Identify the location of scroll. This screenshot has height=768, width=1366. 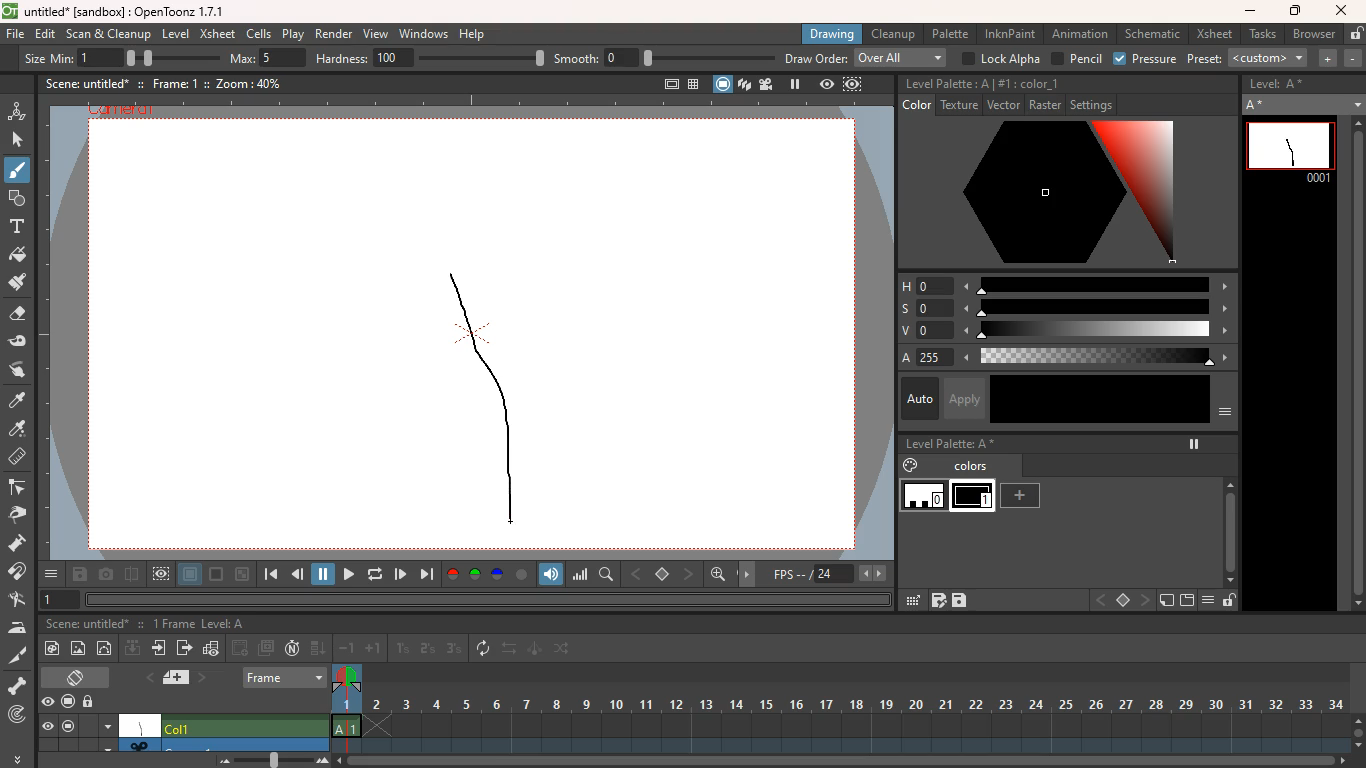
(1225, 523).